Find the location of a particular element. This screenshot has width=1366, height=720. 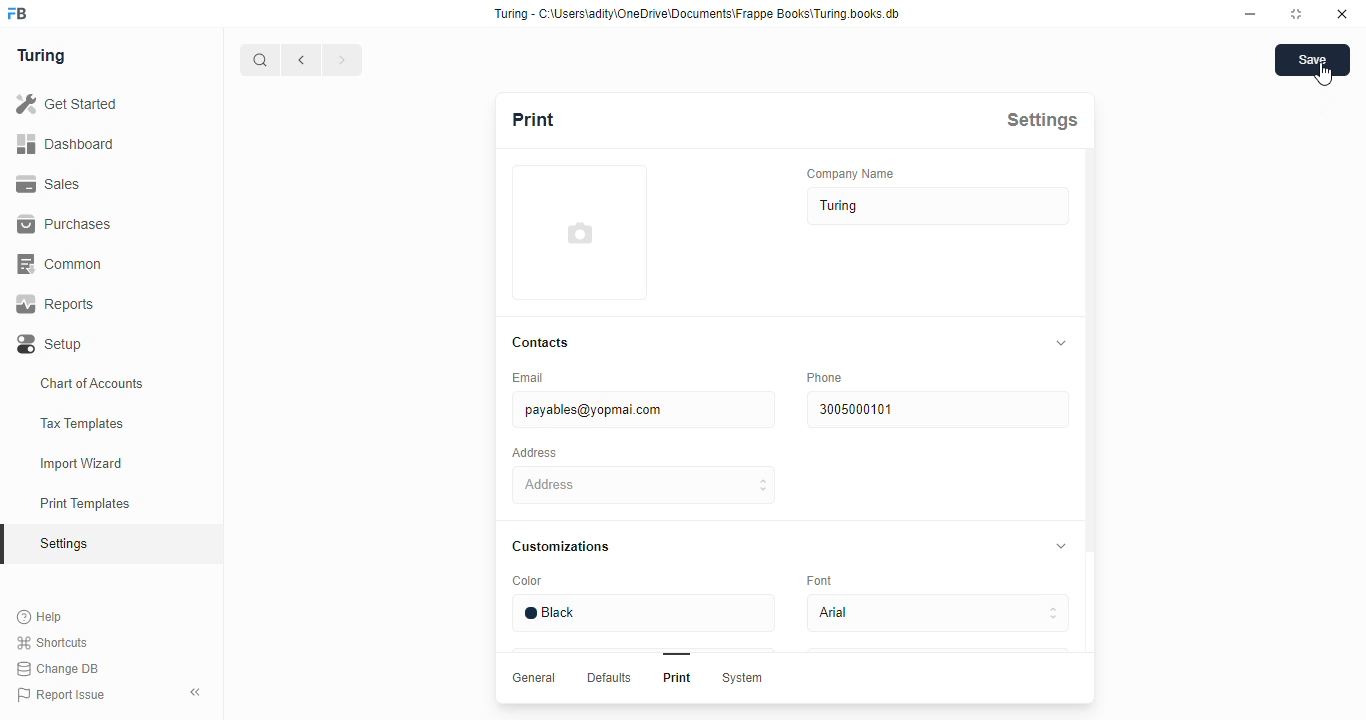

Tax Templates is located at coordinates (92, 421).